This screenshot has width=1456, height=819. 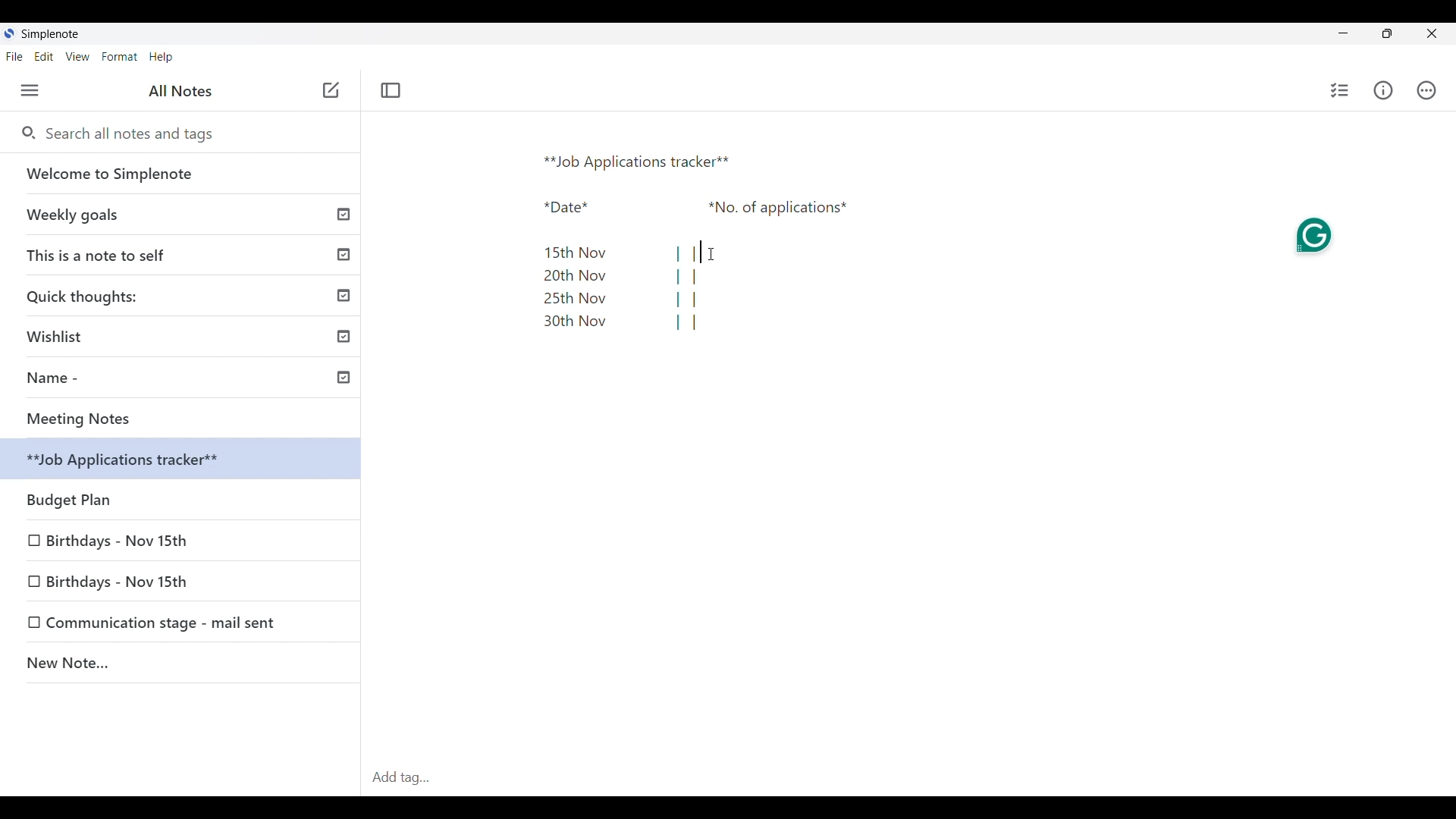 I want to click on View, so click(x=77, y=57).